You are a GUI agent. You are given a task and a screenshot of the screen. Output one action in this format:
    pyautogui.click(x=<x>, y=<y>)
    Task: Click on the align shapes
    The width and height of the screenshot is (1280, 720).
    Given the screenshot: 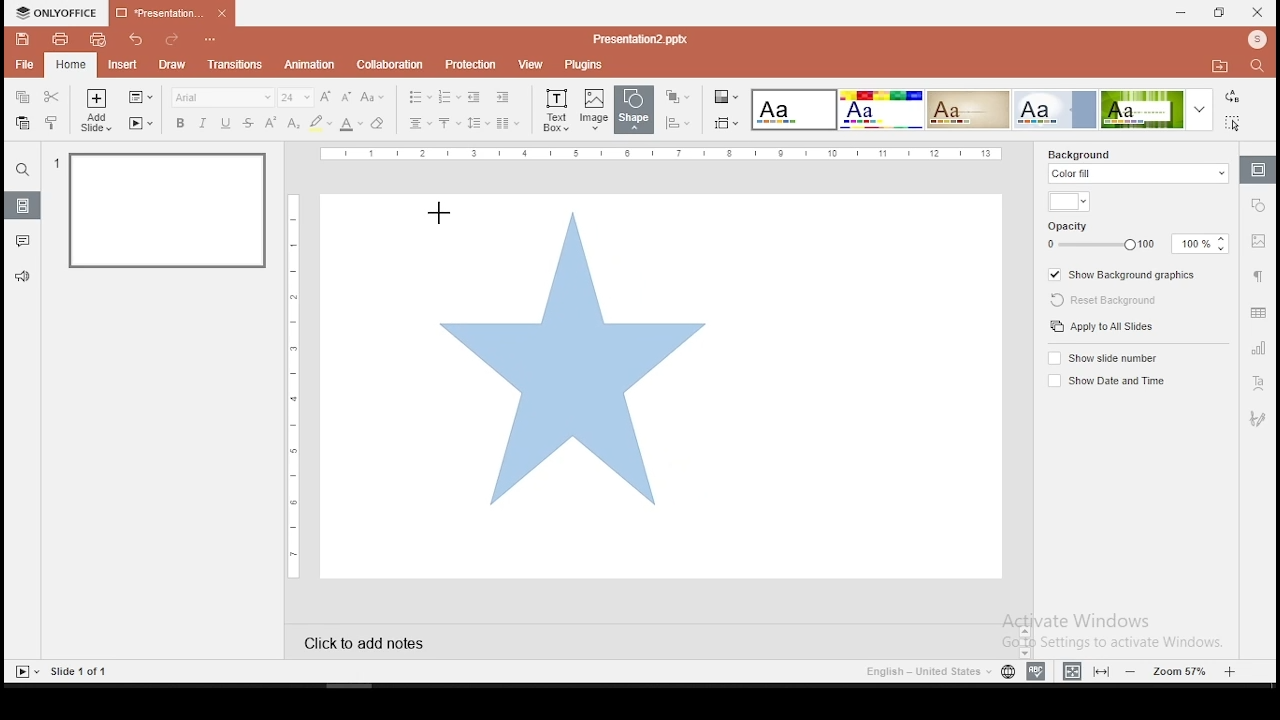 What is the action you would take?
    pyautogui.click(x=677, y=123)
    